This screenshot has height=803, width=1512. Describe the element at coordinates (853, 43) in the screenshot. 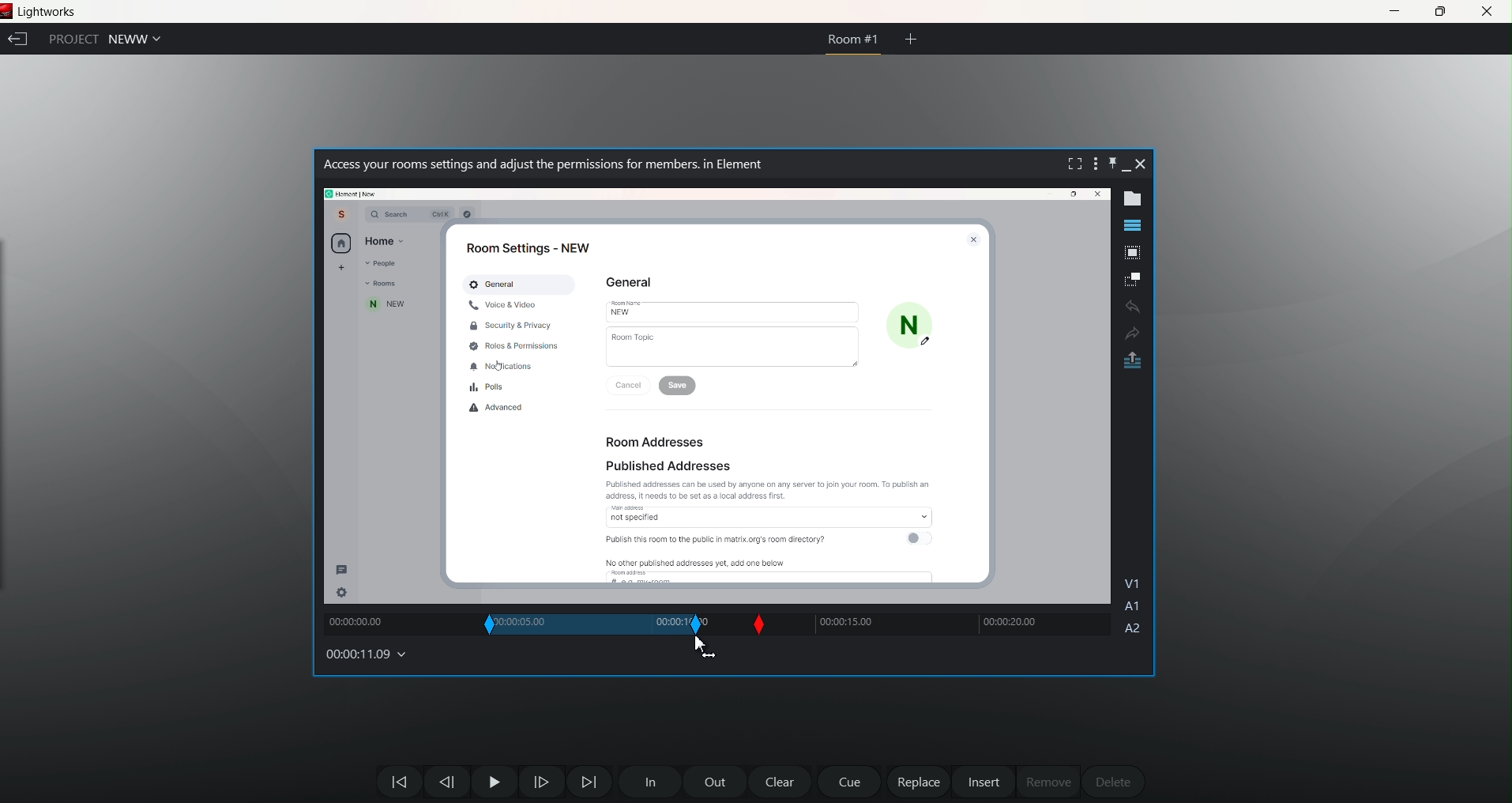

I see `Room #1` at that location.